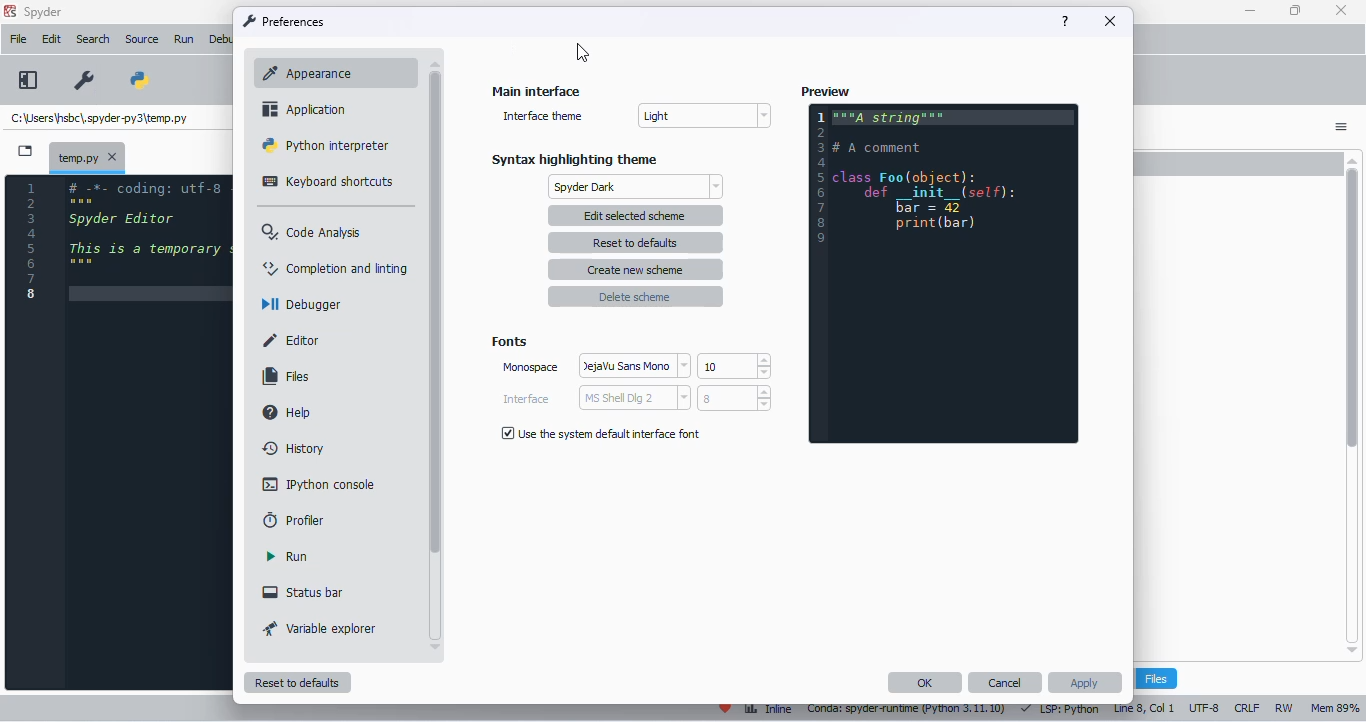 Image resolution: width=1366 pixels, height=722 pixels. Describe the element at coordinates (1006, 683) in the screenshot. I see `cancel` at that location.